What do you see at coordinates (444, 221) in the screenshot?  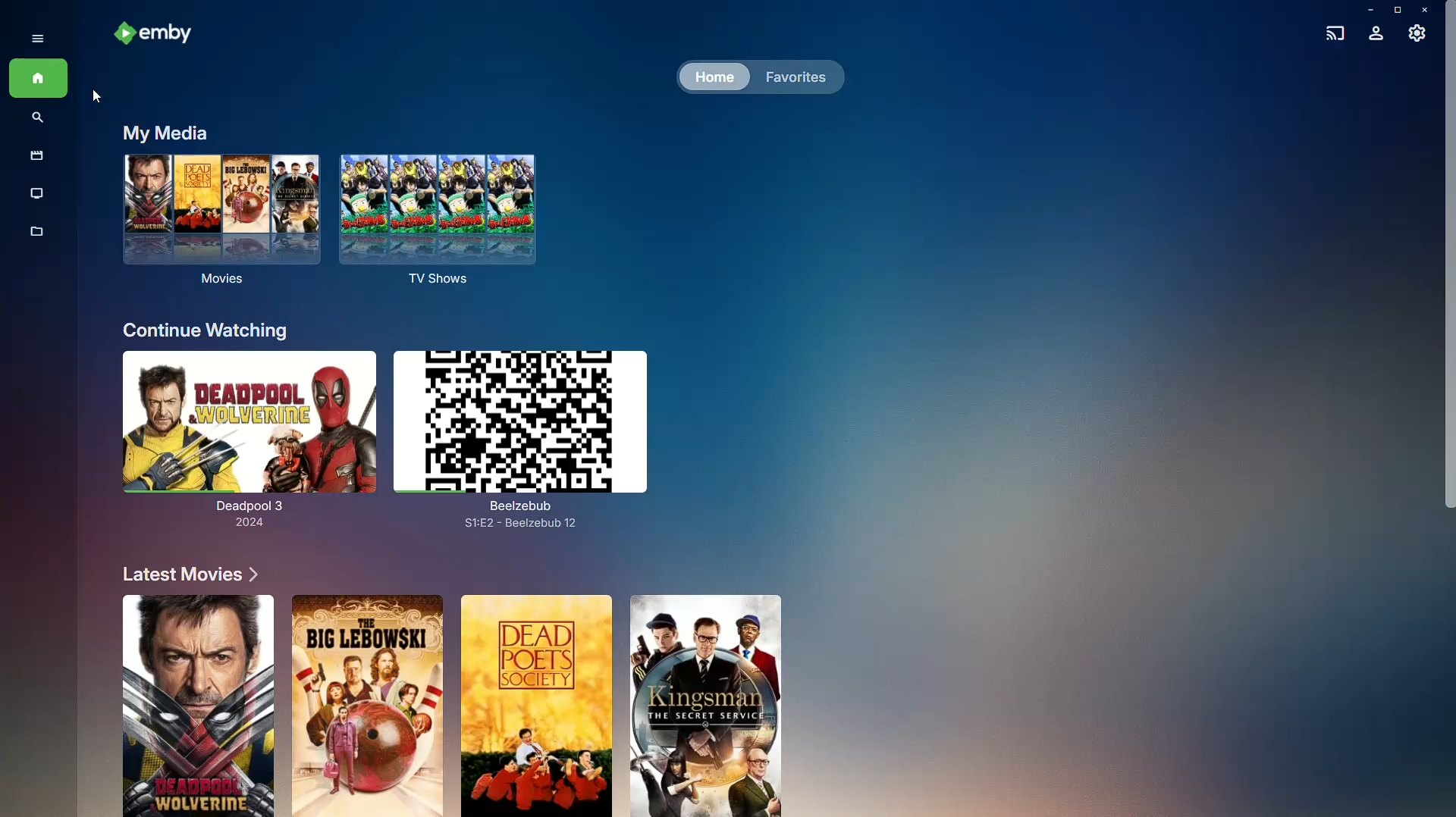 I see `TV Shows` at bounding box center [444, 221].